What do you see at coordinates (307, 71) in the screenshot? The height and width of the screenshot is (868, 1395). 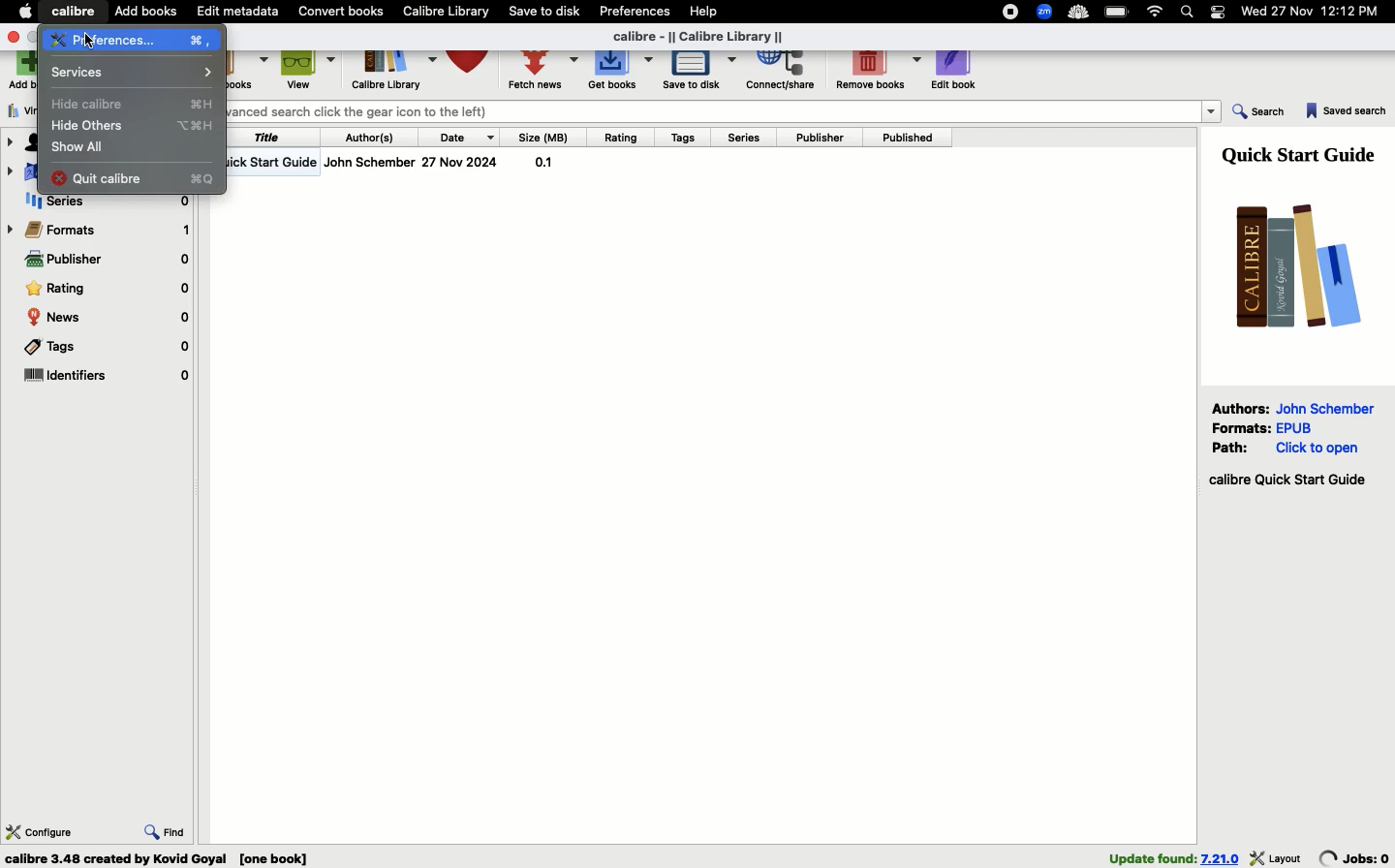 I see `View` at bounding box center [307, 71].